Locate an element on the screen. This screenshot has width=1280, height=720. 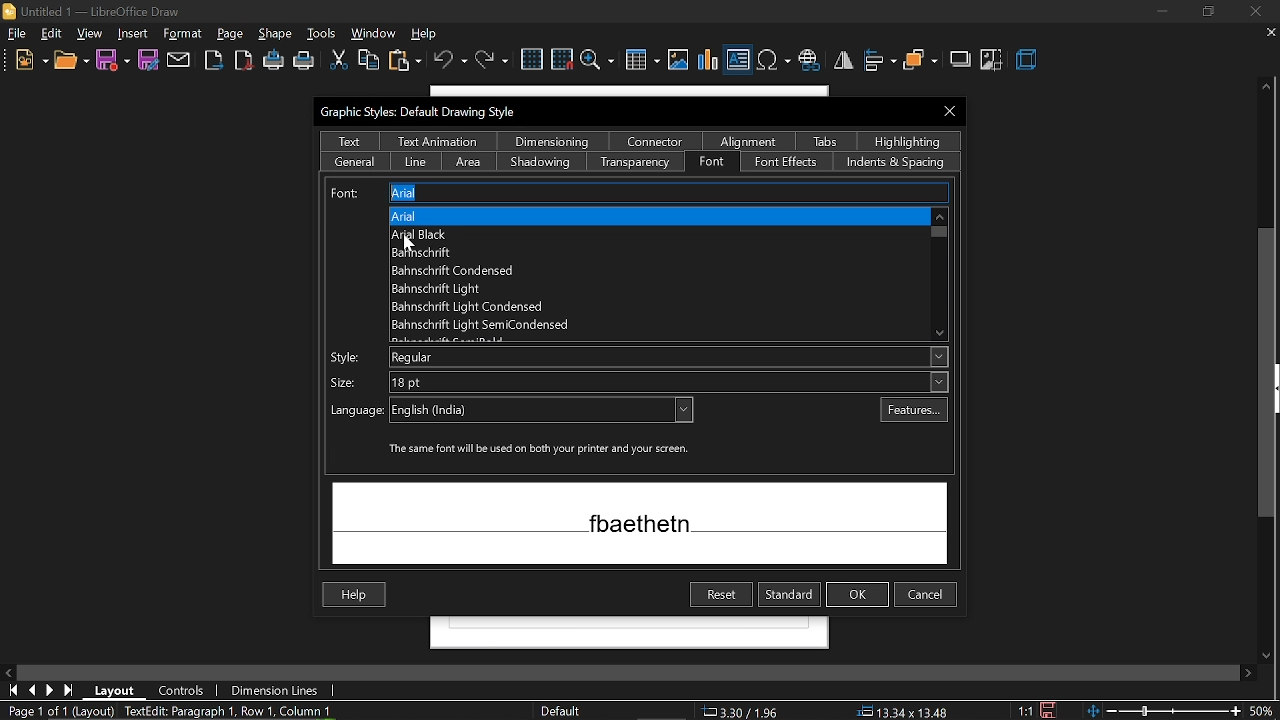
copy is located at coordinates (368, 61).